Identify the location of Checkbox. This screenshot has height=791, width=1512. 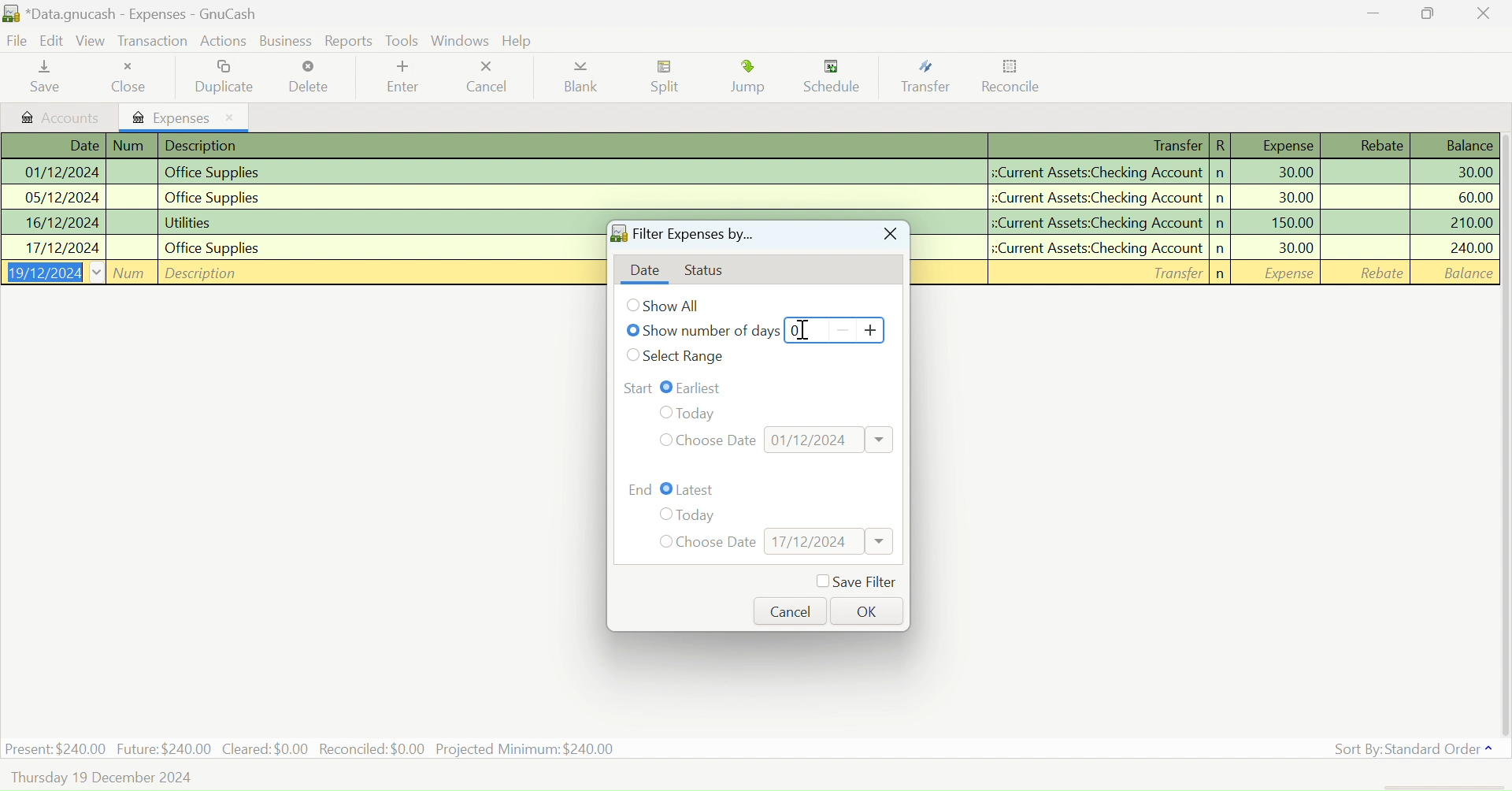
(663, 514).